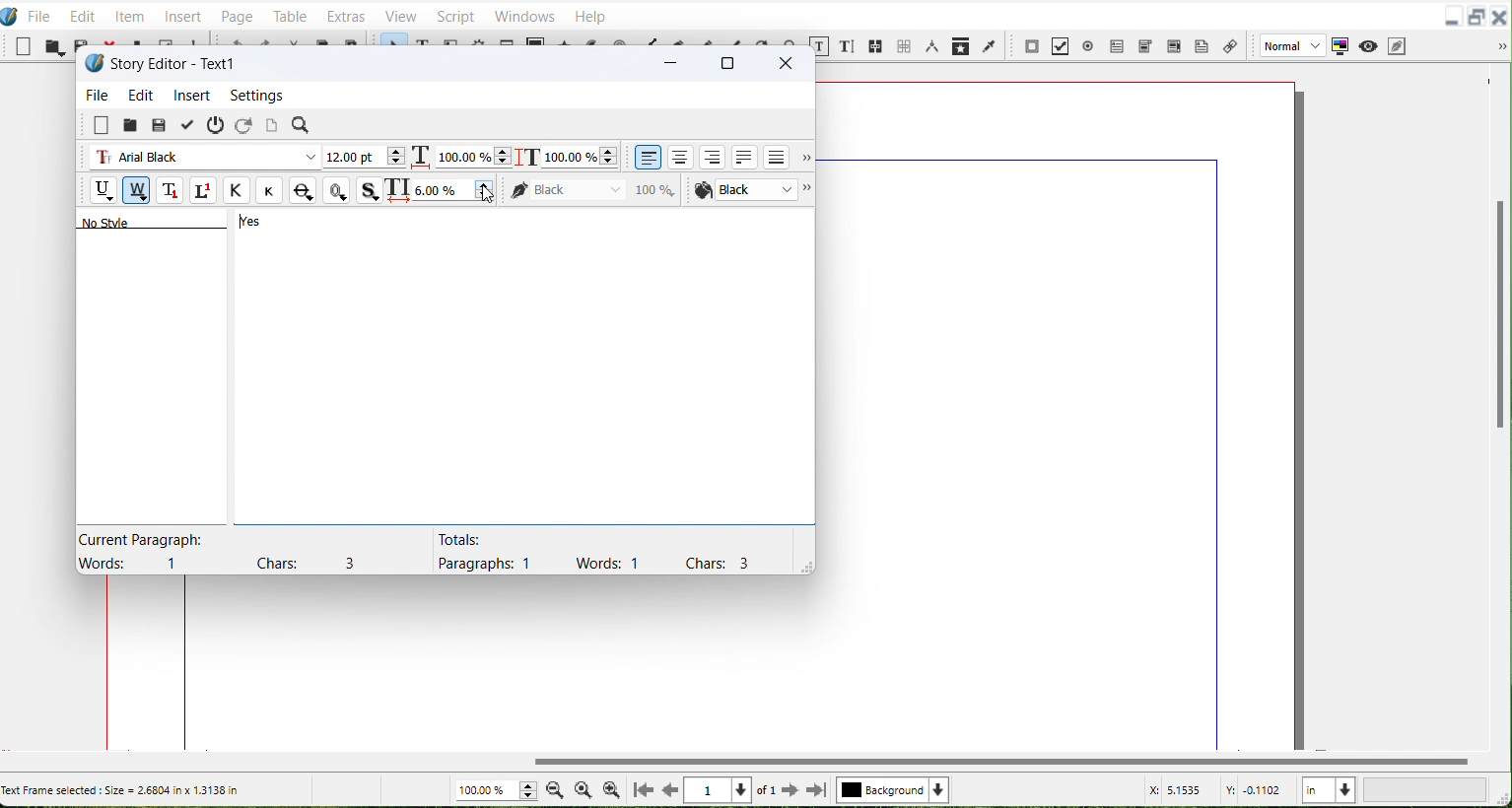 This screenshot has height=808, width=1512. What do you see at coordinates (1368, 45) in the screenshot?
I see `Preview Mode` at bounding box center [1368, 45].